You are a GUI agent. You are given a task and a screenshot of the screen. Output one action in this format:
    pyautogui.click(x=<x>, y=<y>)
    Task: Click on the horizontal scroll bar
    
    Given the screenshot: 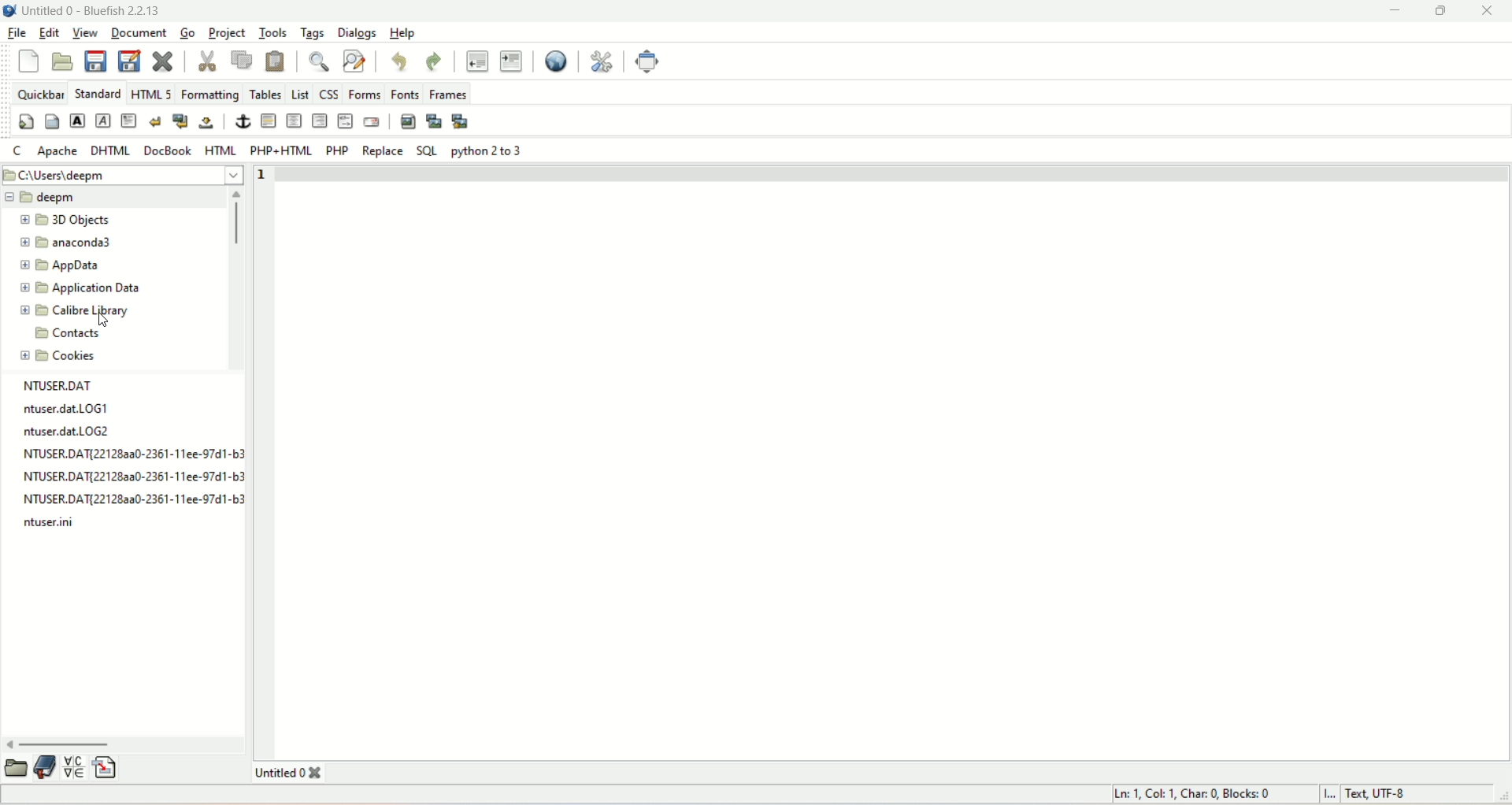 What is the action you would take?
    pyautogui.click(x=126, y=745)
    